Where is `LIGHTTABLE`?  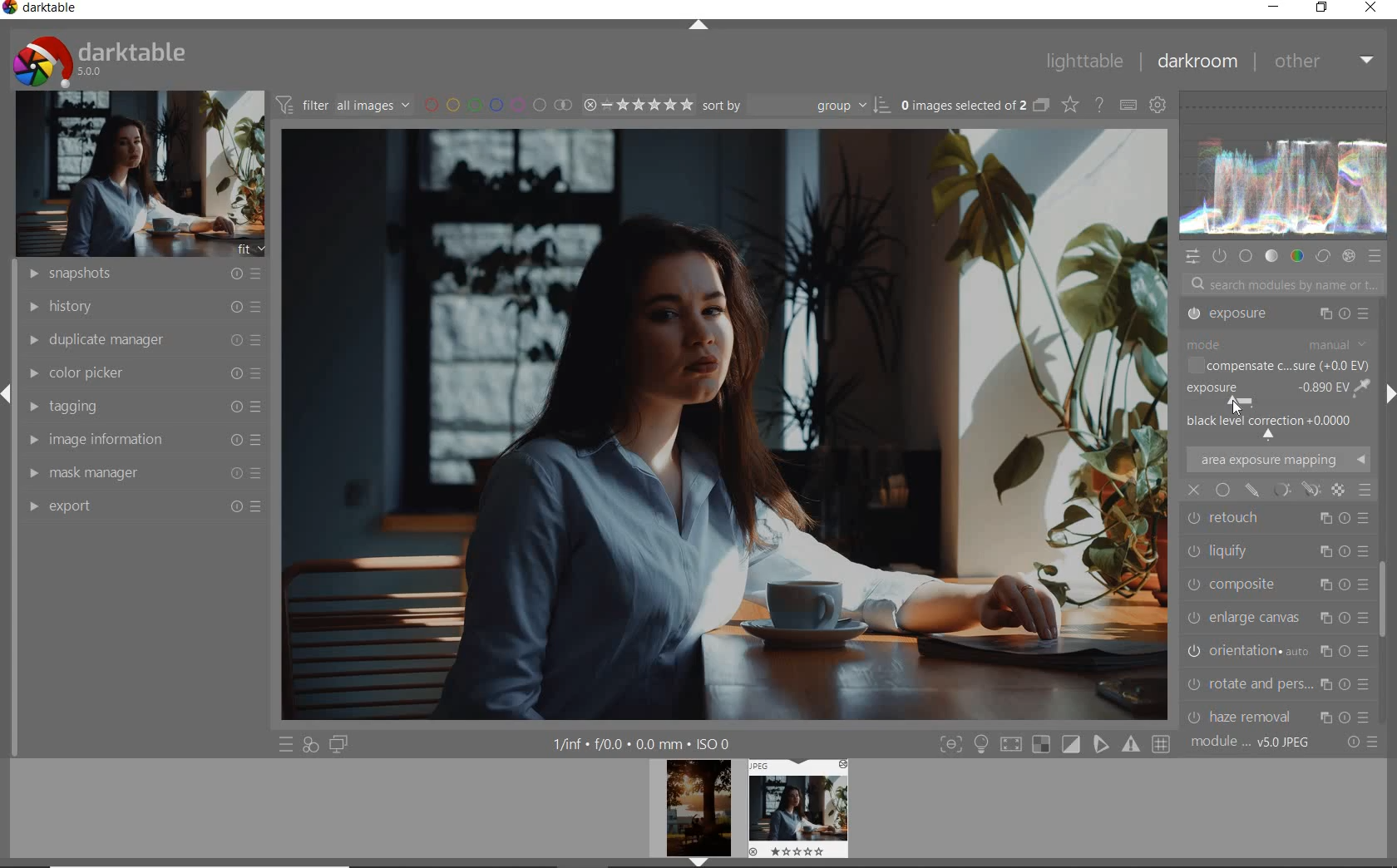 LIGHTTABLE is located at coordinates (1085, 62).